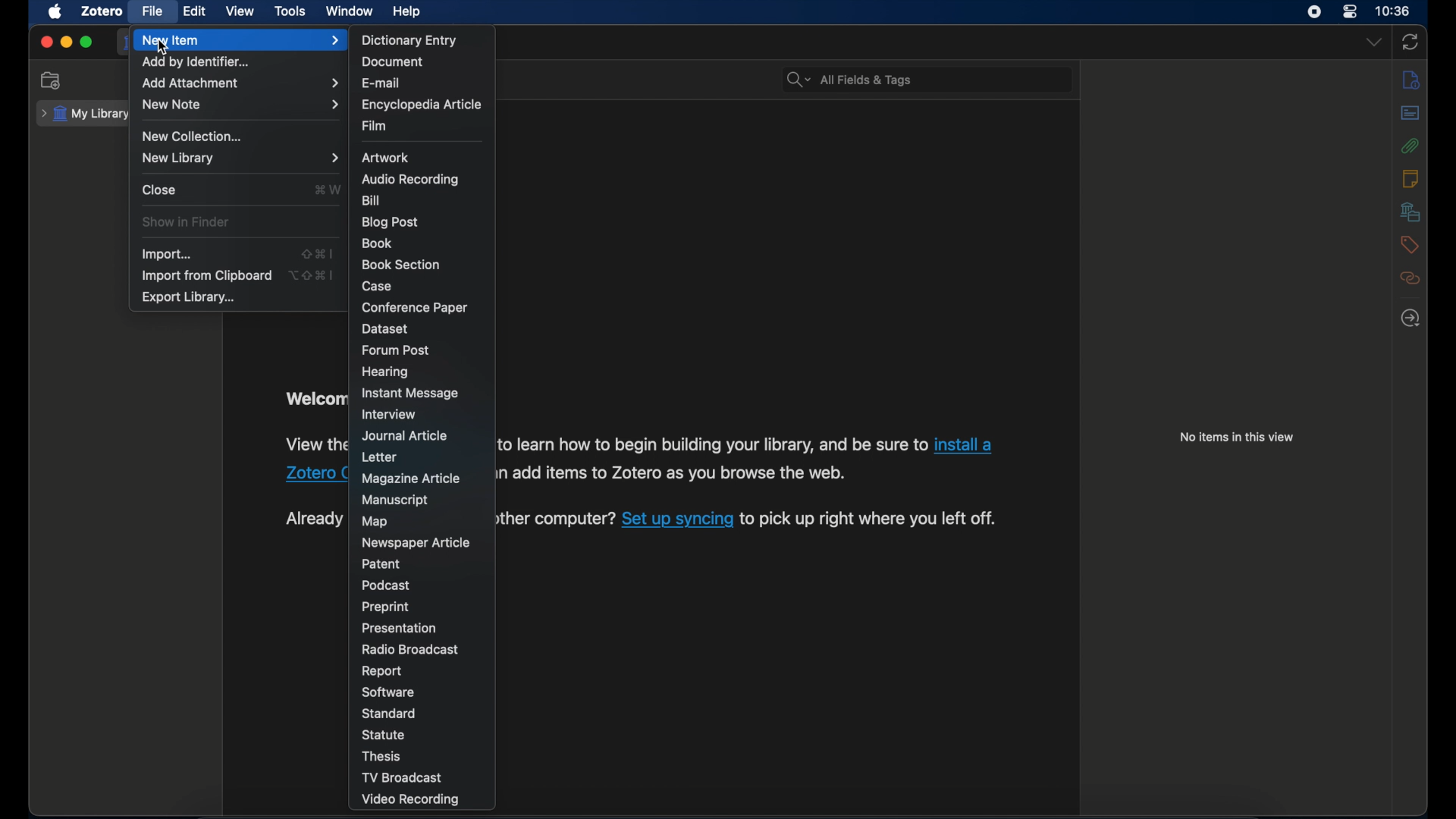 This screenshot has height=819, width=1456. I want to click on locate, so click(1411, 318).